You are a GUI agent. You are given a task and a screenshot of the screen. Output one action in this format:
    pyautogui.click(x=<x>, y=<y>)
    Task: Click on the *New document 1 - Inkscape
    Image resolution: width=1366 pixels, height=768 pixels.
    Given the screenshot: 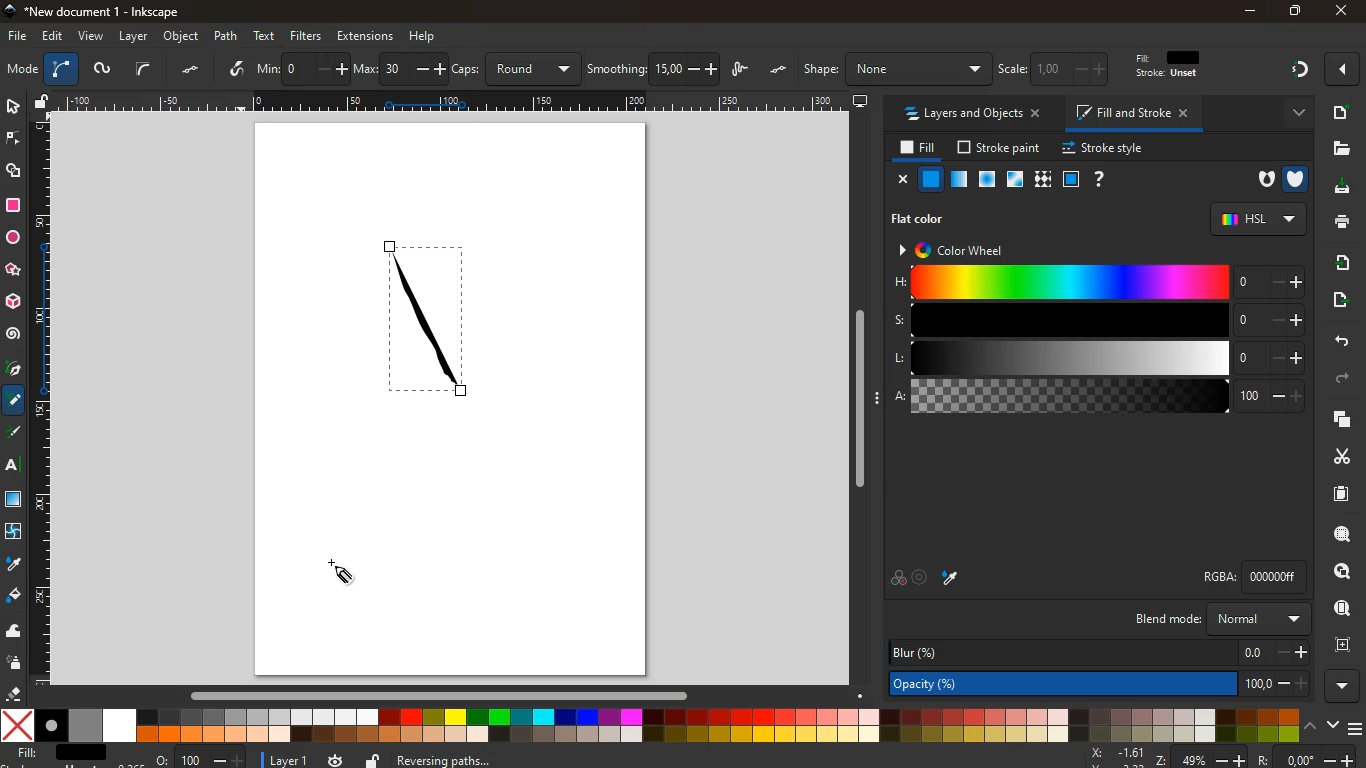 What is the action you would take?
    pyautogui.click(x=90, y=12)
    